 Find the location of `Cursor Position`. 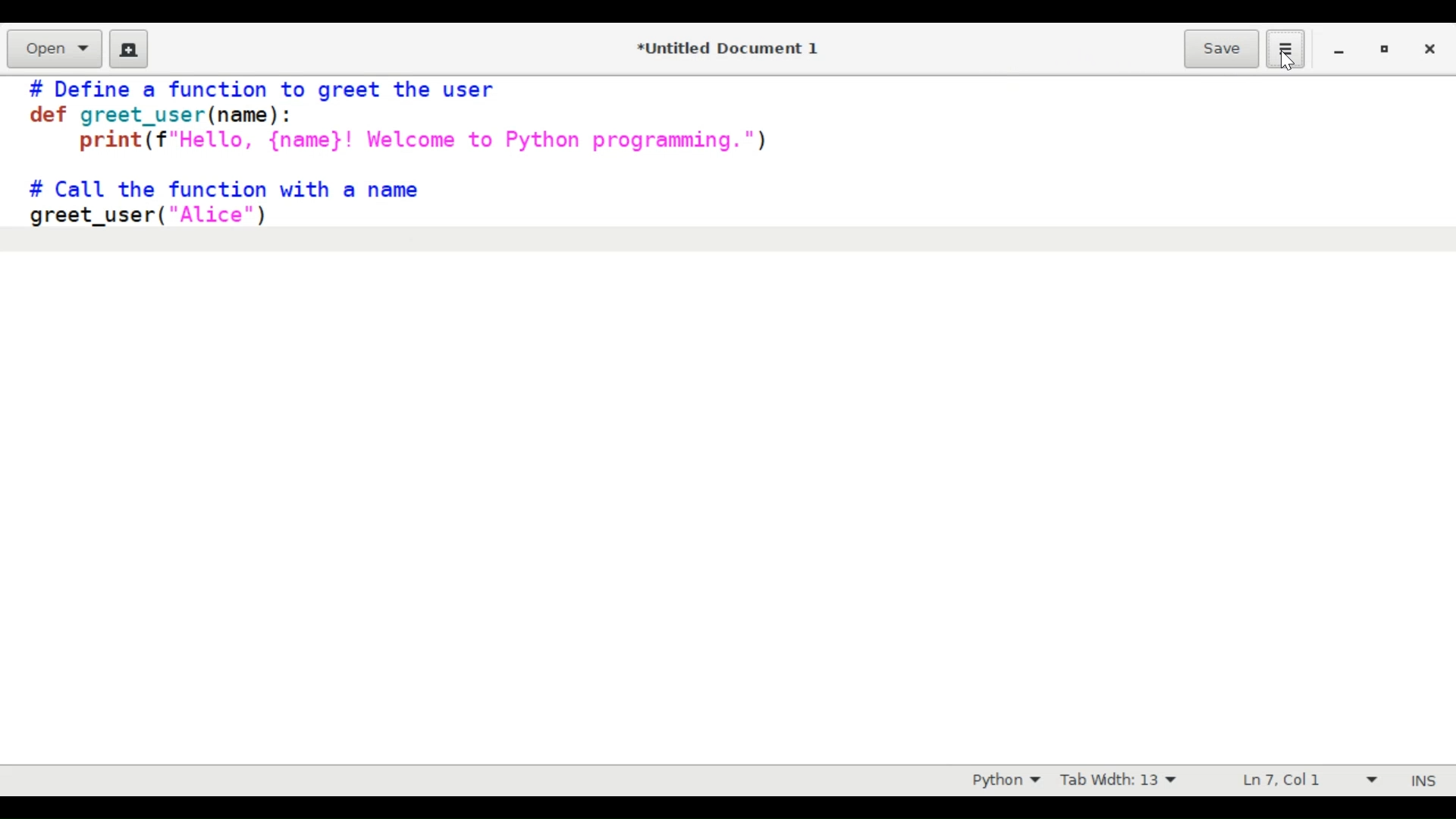

Cursor Position is located at coordinates (1280, 779).